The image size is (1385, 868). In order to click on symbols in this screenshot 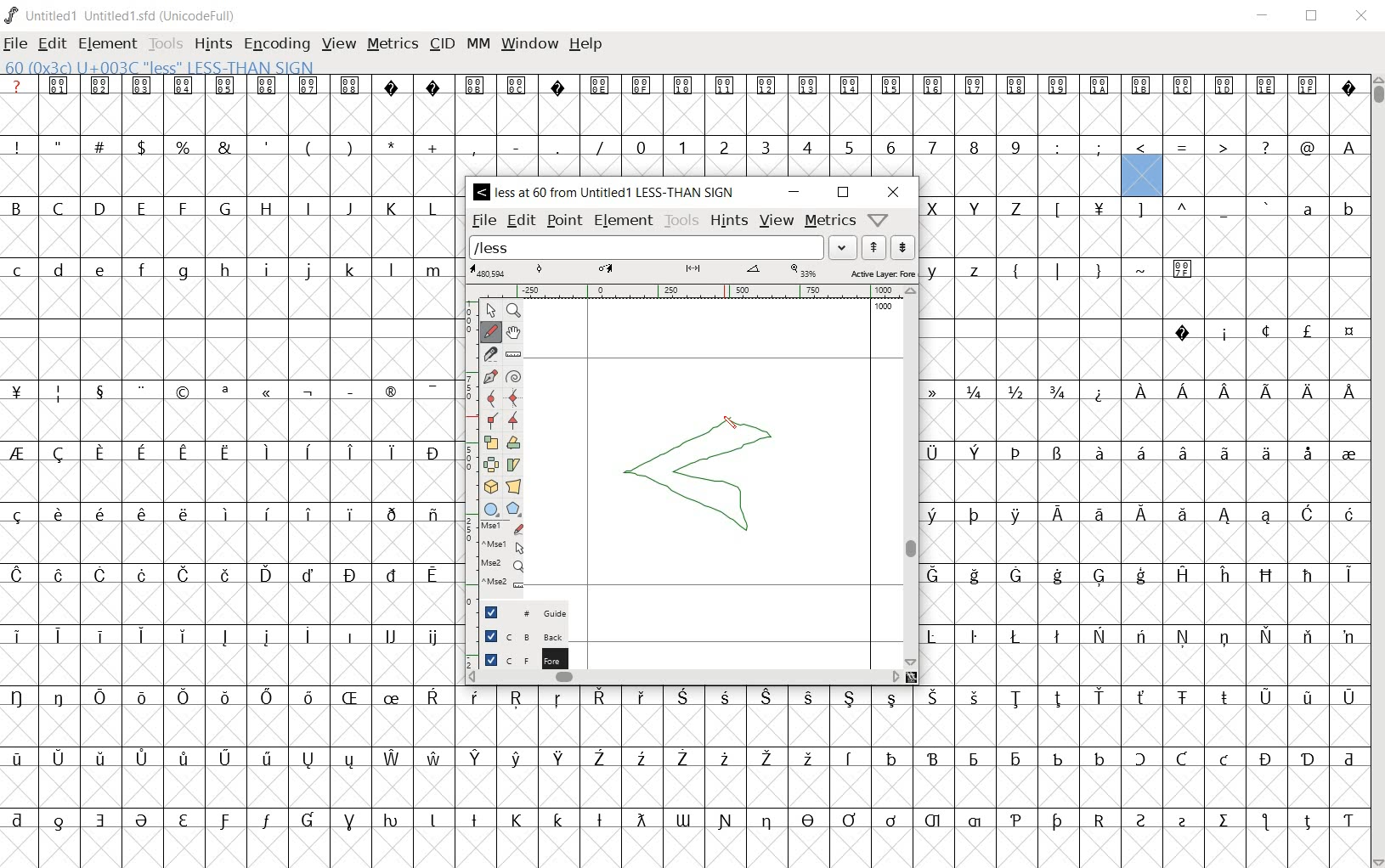, I will do `click(1101, 268)`.